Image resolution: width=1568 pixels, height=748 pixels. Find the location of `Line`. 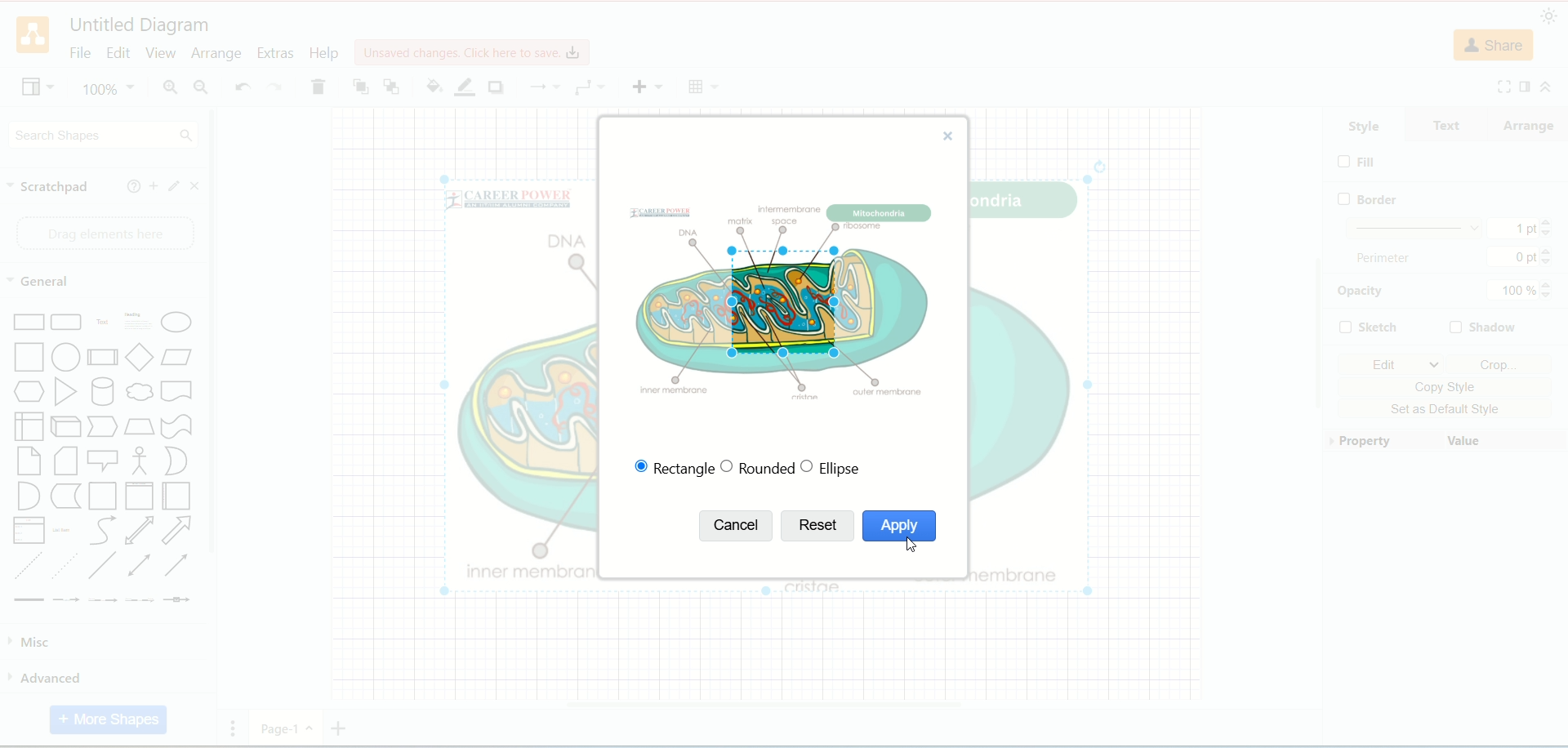

Line is located at coordinates (104, 568).